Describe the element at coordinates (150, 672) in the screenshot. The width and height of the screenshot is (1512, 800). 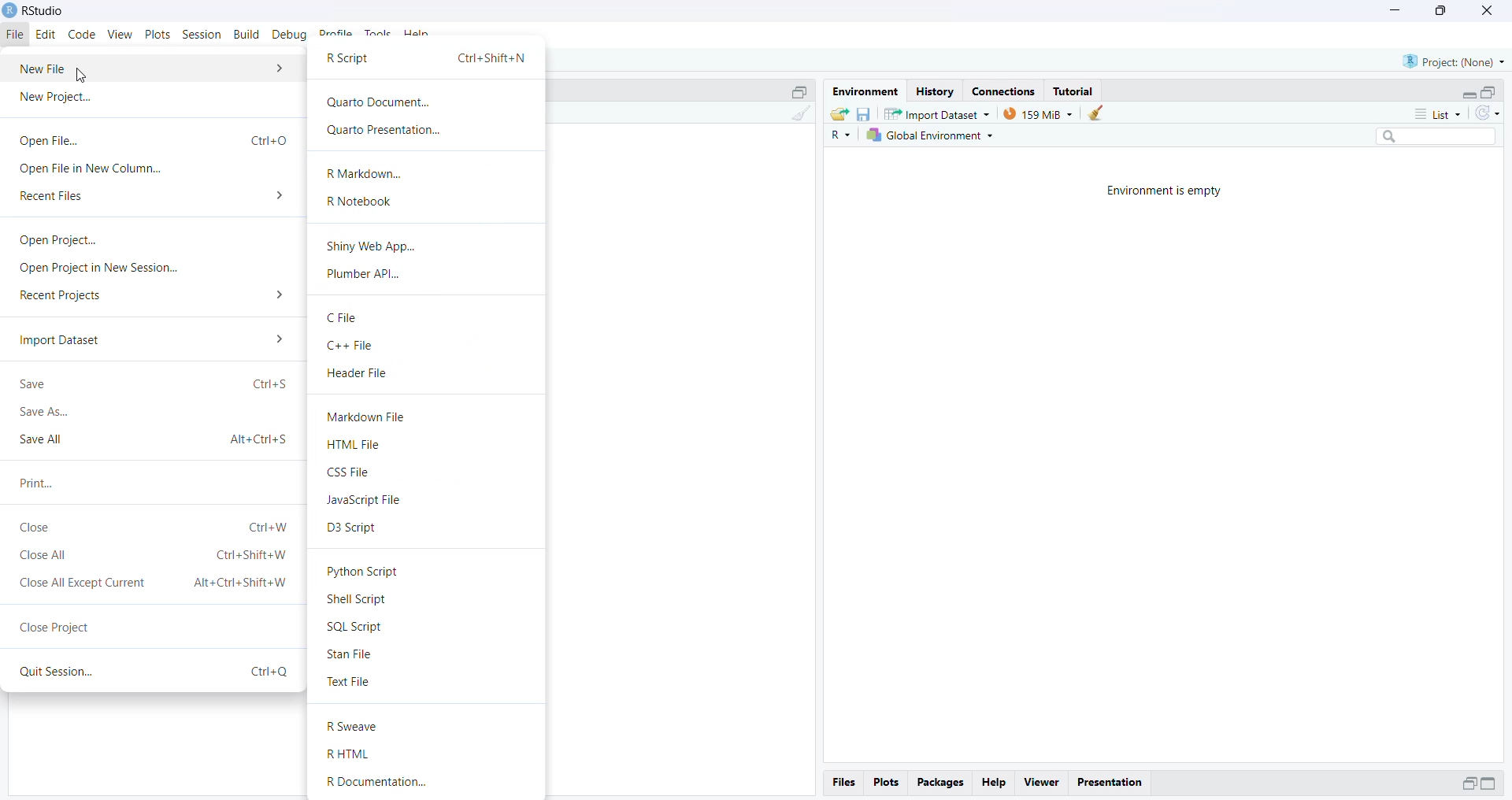
I see `Quit Session... Ctri+Q` at that location.